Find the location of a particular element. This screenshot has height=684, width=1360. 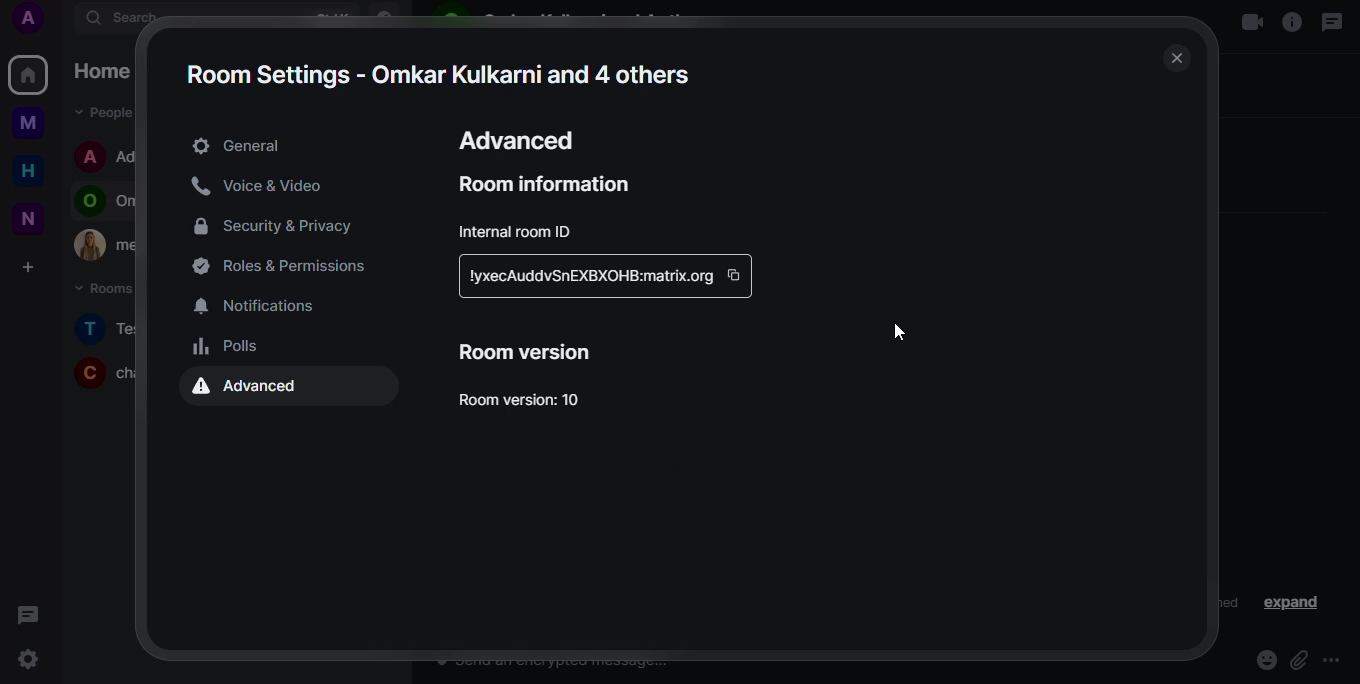

new is located at coordinates (29, 217).